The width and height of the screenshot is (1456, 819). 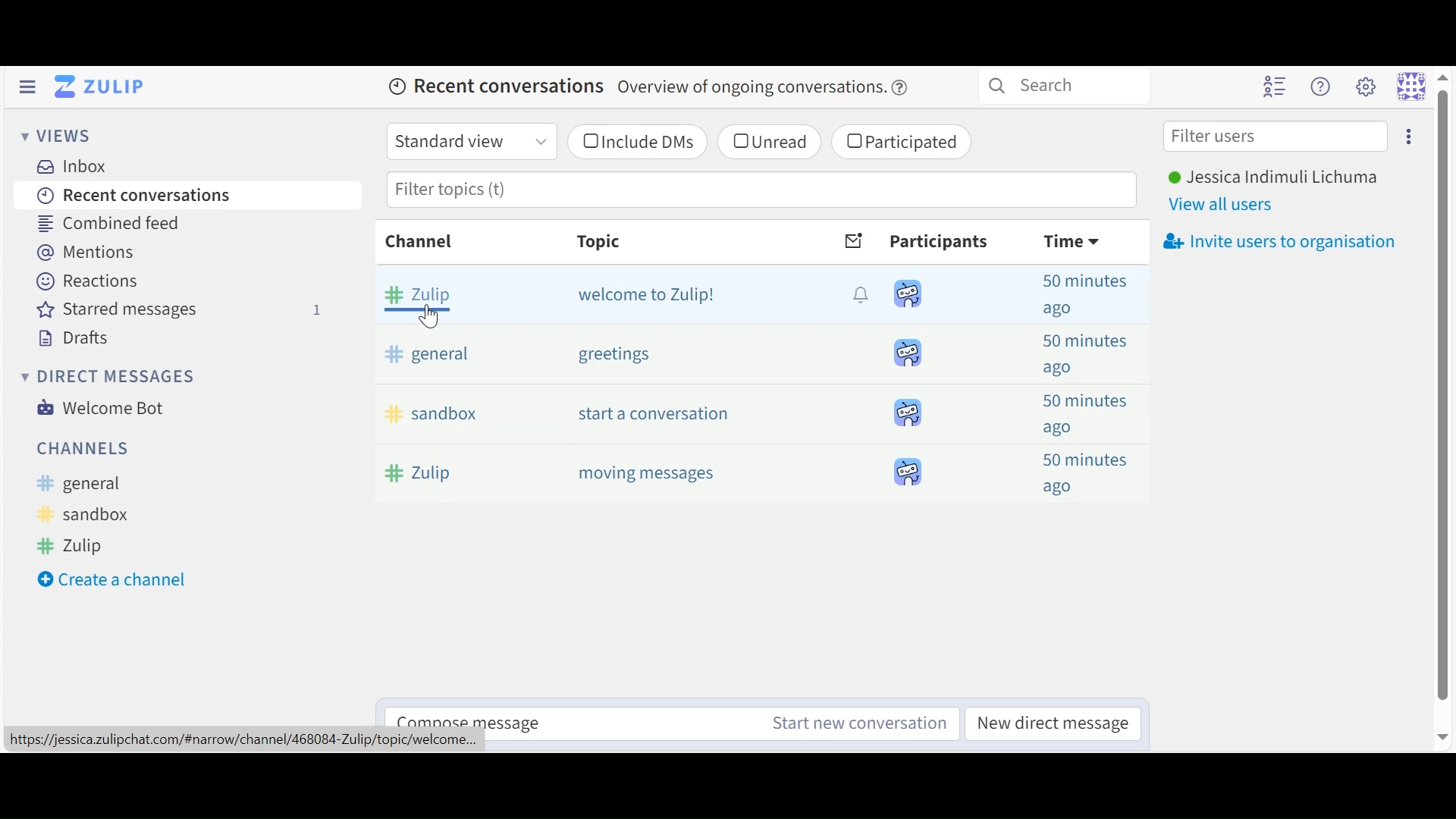 I want to click on Topic, so click(x=598, y=243).